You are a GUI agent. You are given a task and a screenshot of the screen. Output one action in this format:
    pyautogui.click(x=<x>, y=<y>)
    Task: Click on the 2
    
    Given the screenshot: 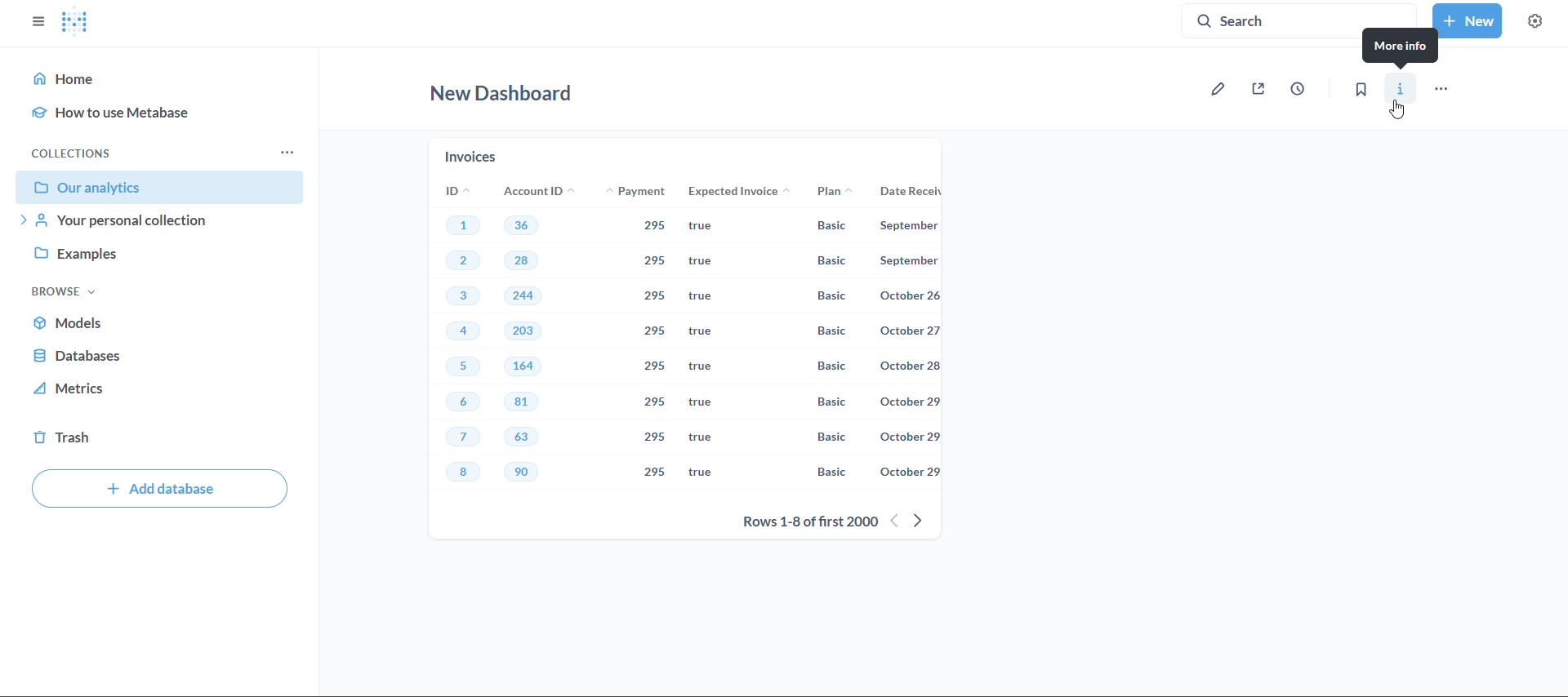 What is the action you would take?
    pyautogui.click(x=465, y=260)
    